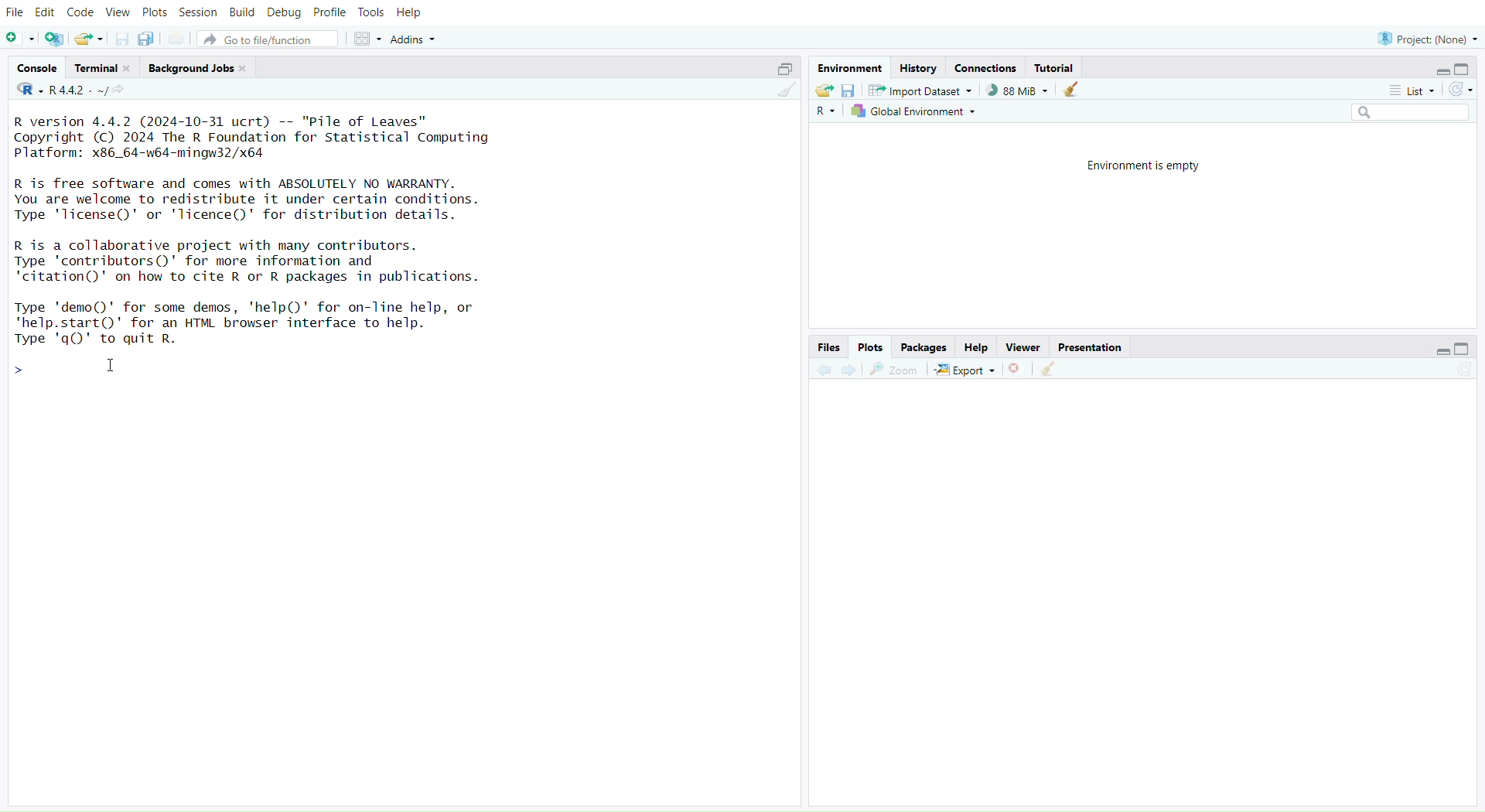 The height and width of the screenshot is (812, 1485). Describe the element at coordinates (1465, 70) in the screenshot. I see `collapse` at that location.